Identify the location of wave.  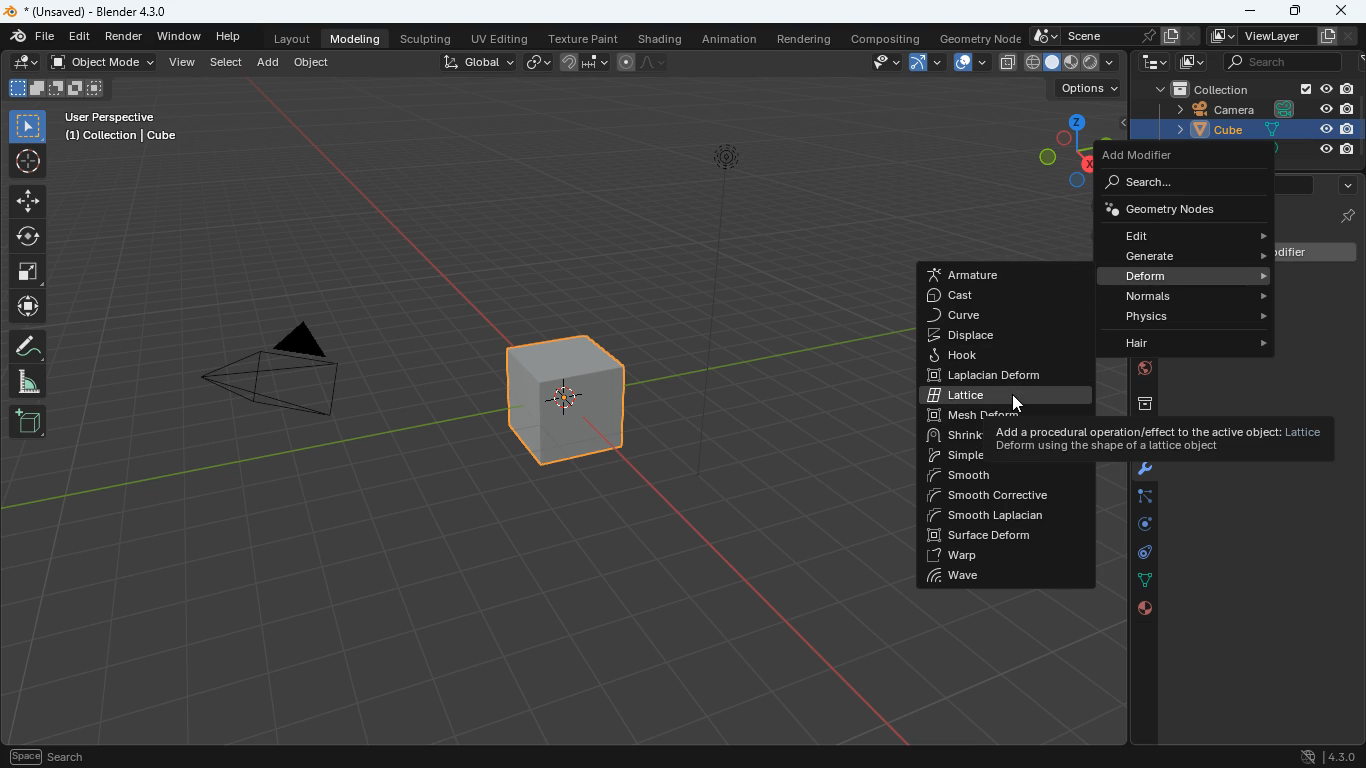
(1001, 577).